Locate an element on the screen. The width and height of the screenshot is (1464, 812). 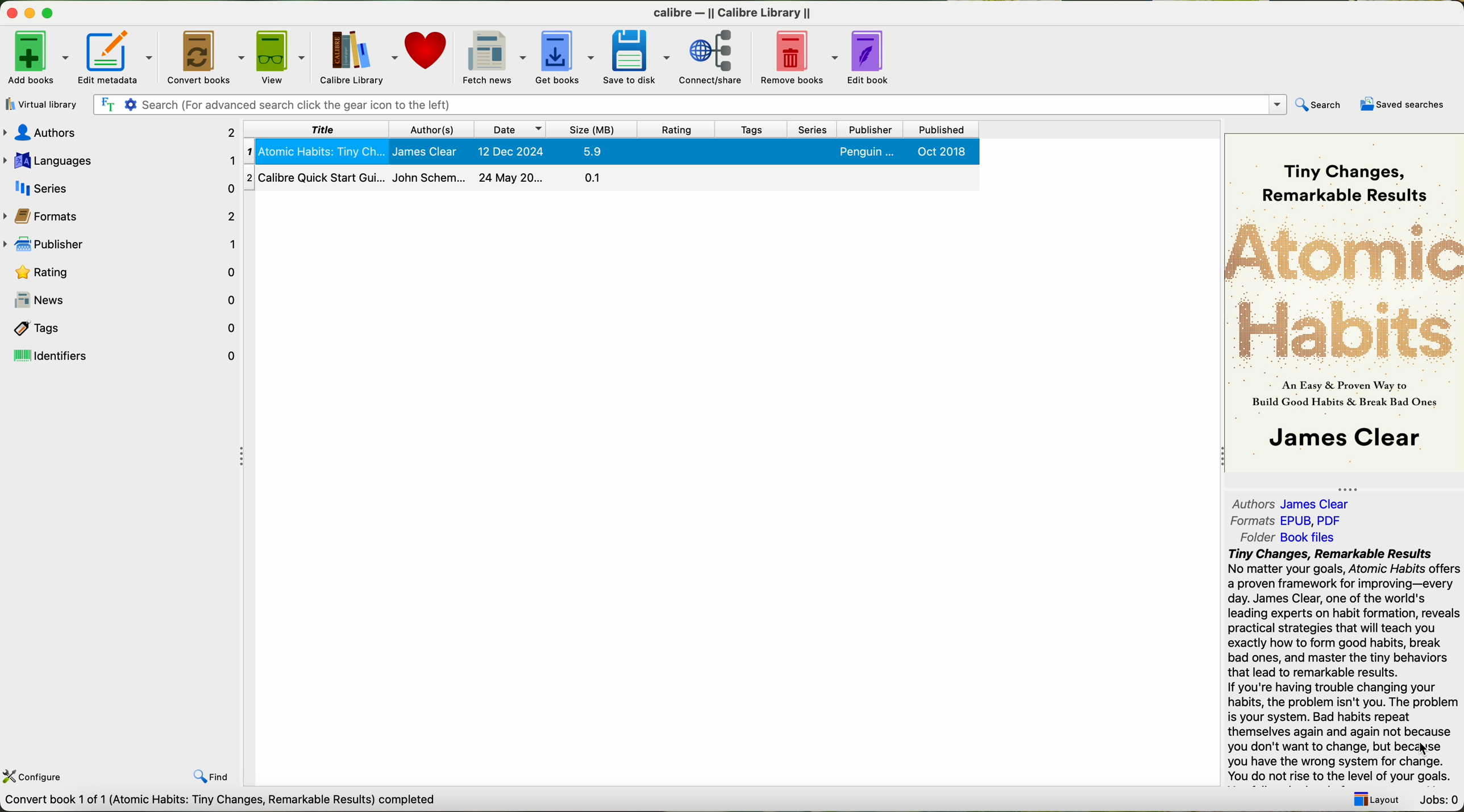
calibre library is located at coordinates (359, 57).